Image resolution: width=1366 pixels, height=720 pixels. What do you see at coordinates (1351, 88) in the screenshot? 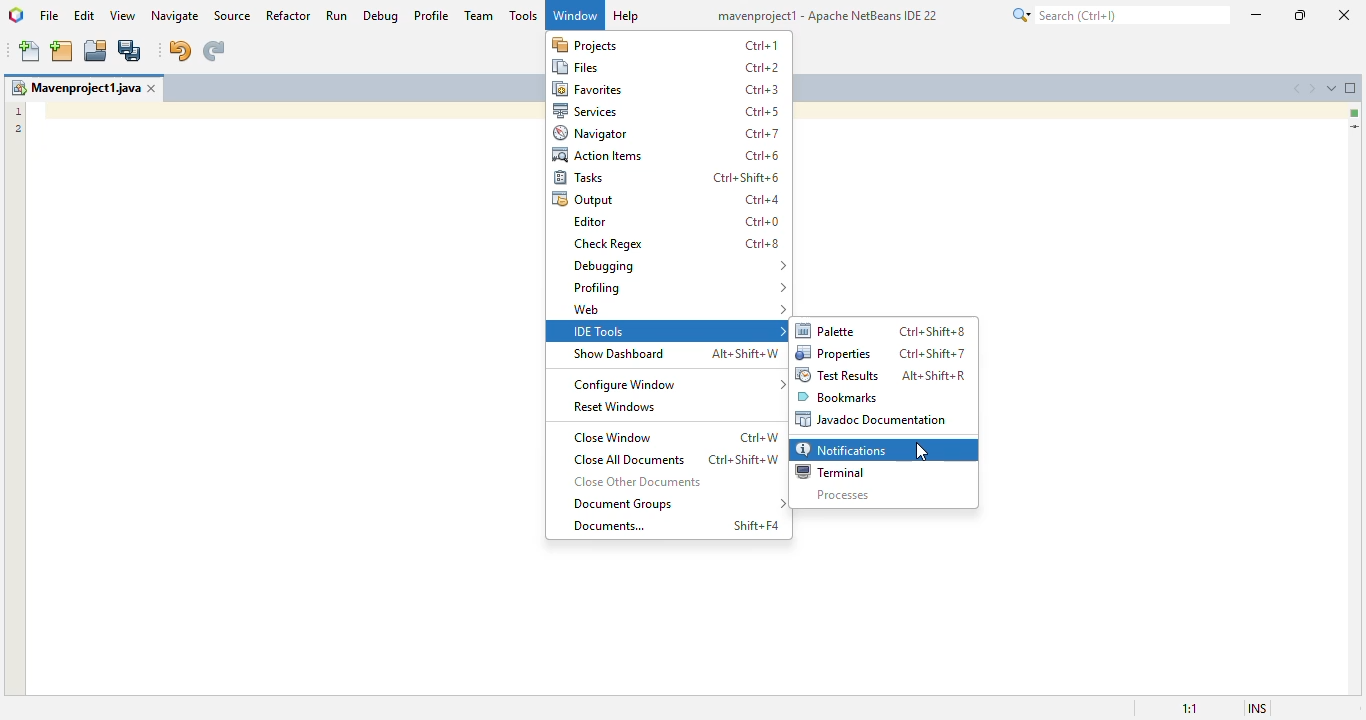
I see `maximize window` at bounding box center [1351, 88].